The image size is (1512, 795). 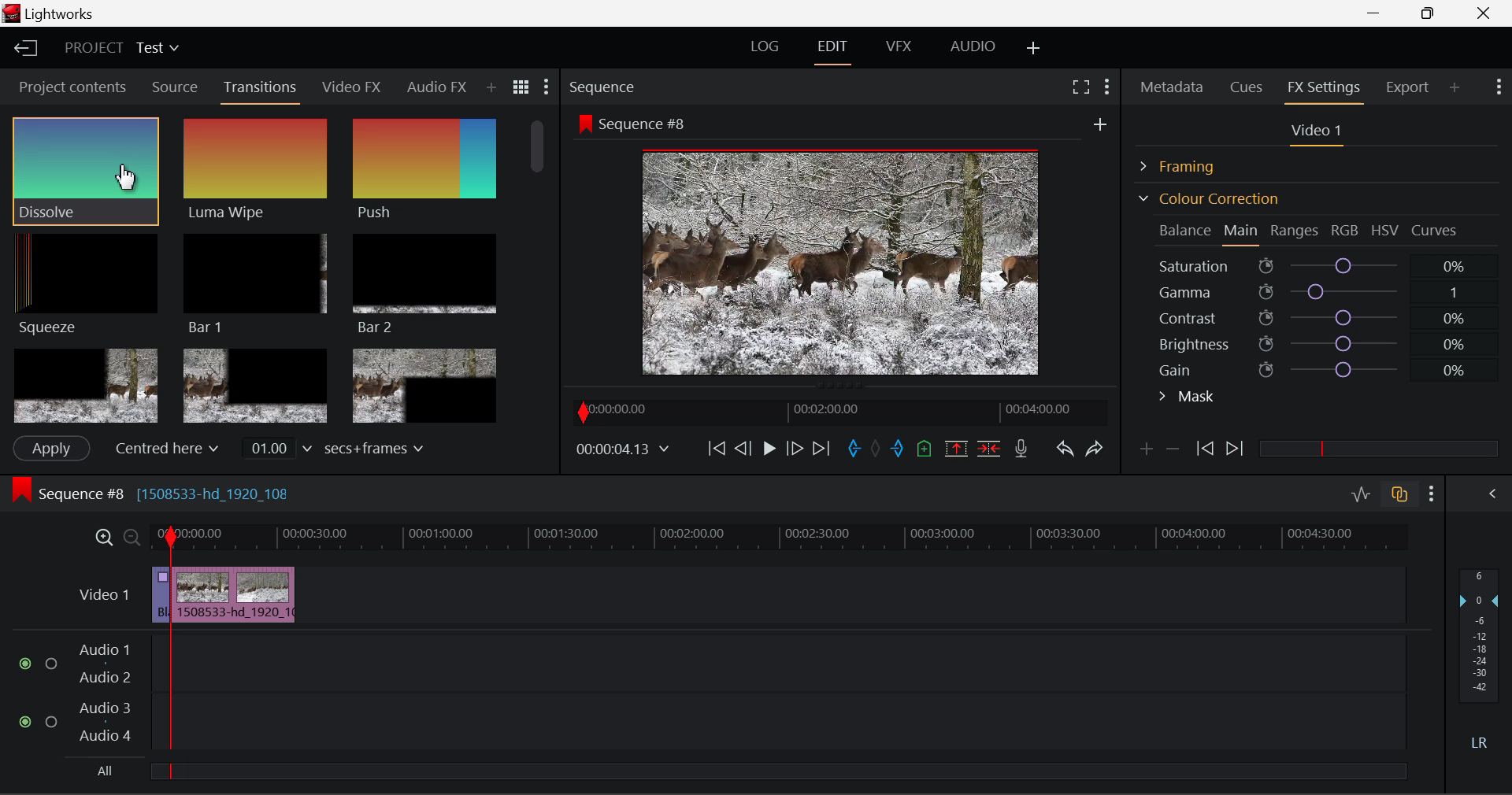 I want to click on Balance Section, so click(x=1187, y=230).